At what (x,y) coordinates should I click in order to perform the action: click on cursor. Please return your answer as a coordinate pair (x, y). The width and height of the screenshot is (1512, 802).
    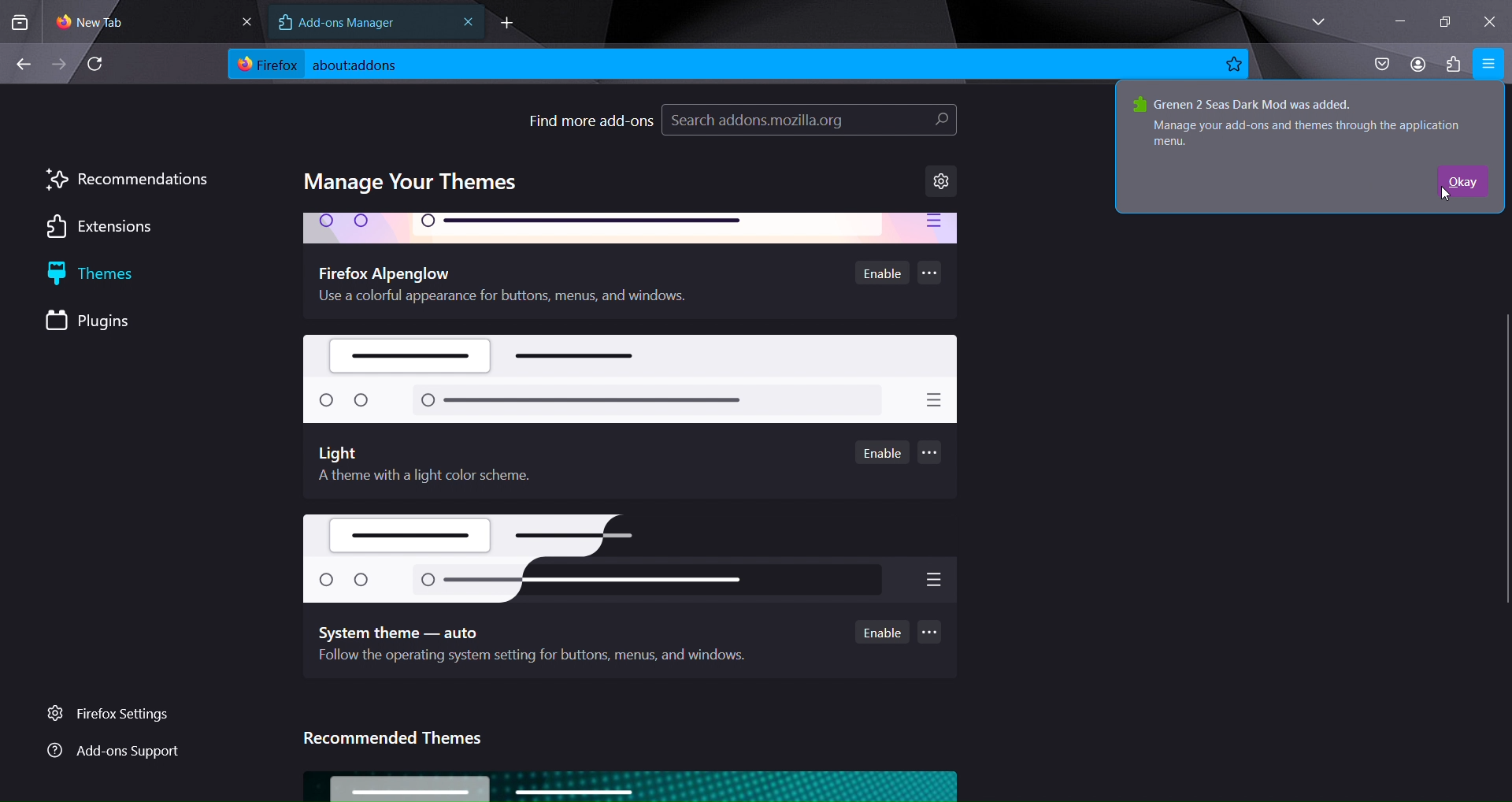
    Looking at the image, I should click on (1441, 196).